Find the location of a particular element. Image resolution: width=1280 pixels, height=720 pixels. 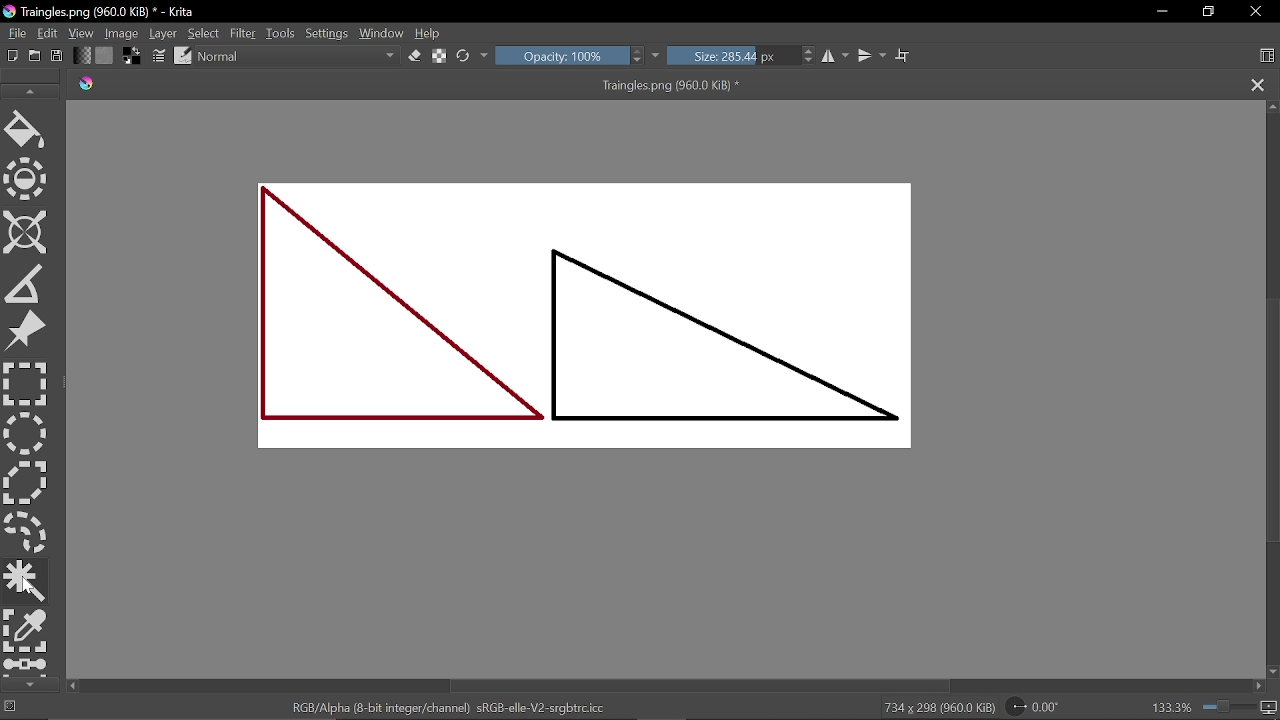

Horizontal scroll is located at coordinates (706, 685).